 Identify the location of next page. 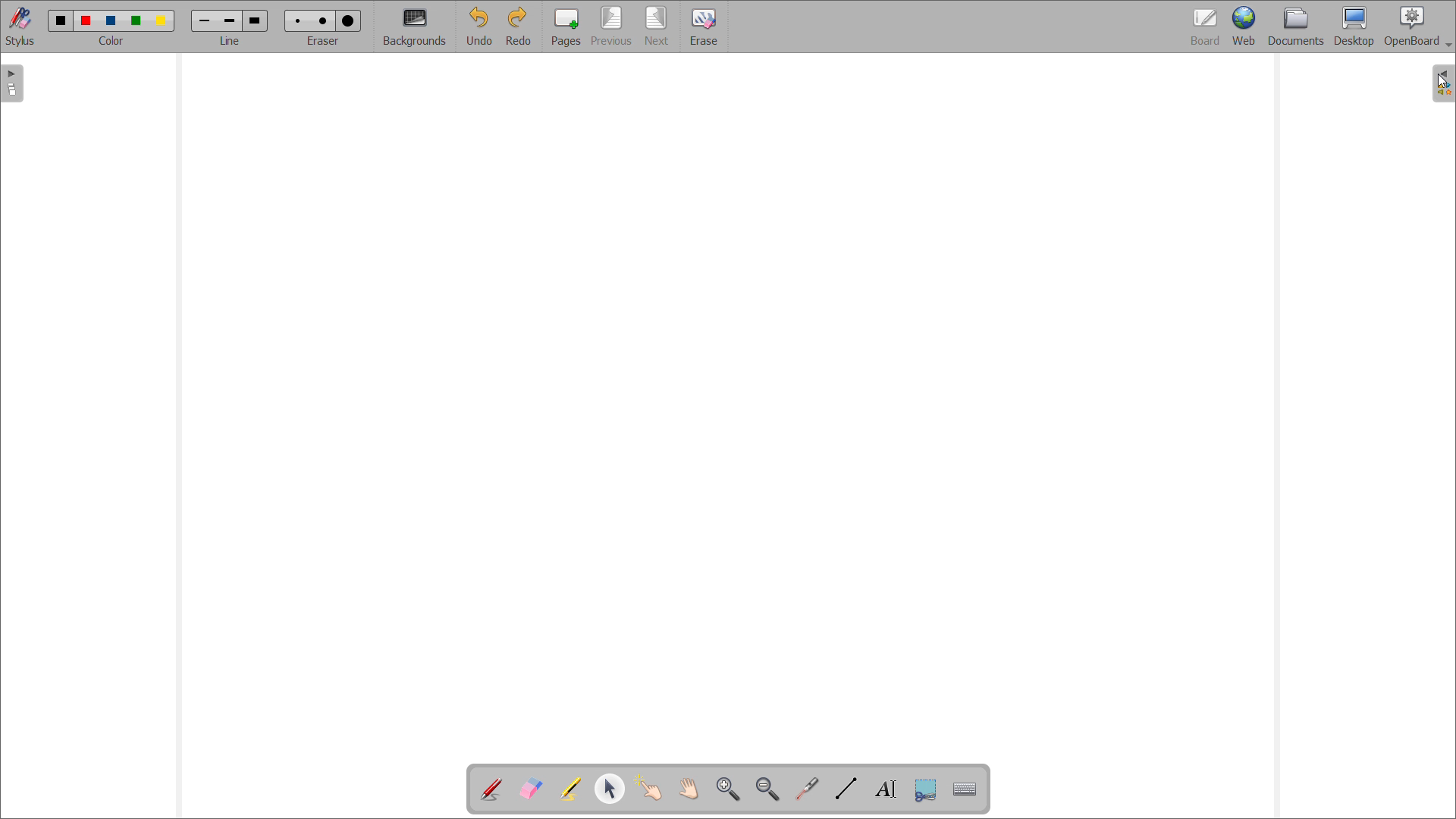
(657, 25).